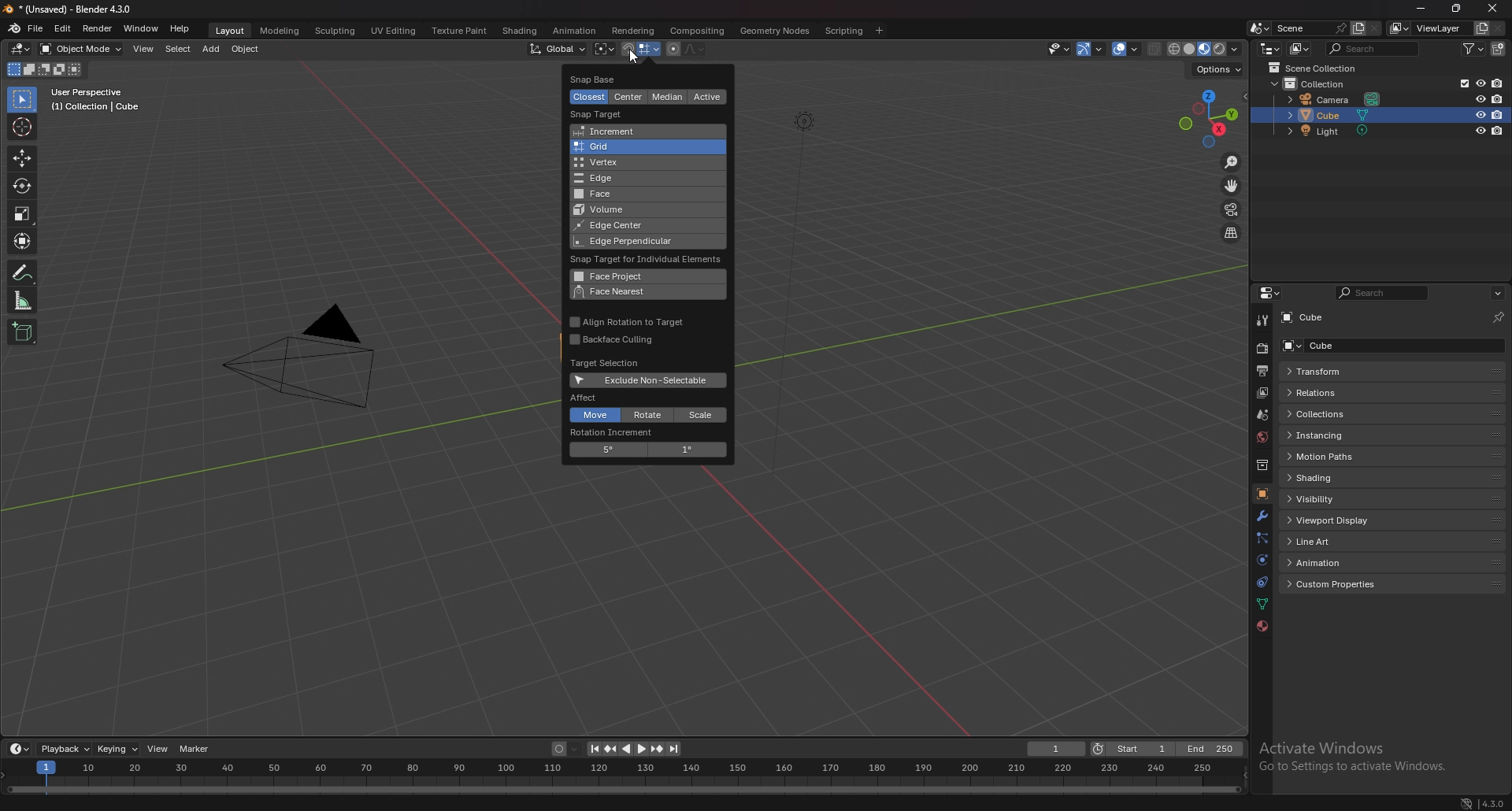 The image size is (1512, 811). I want to click on shading, so click(1340, 477).